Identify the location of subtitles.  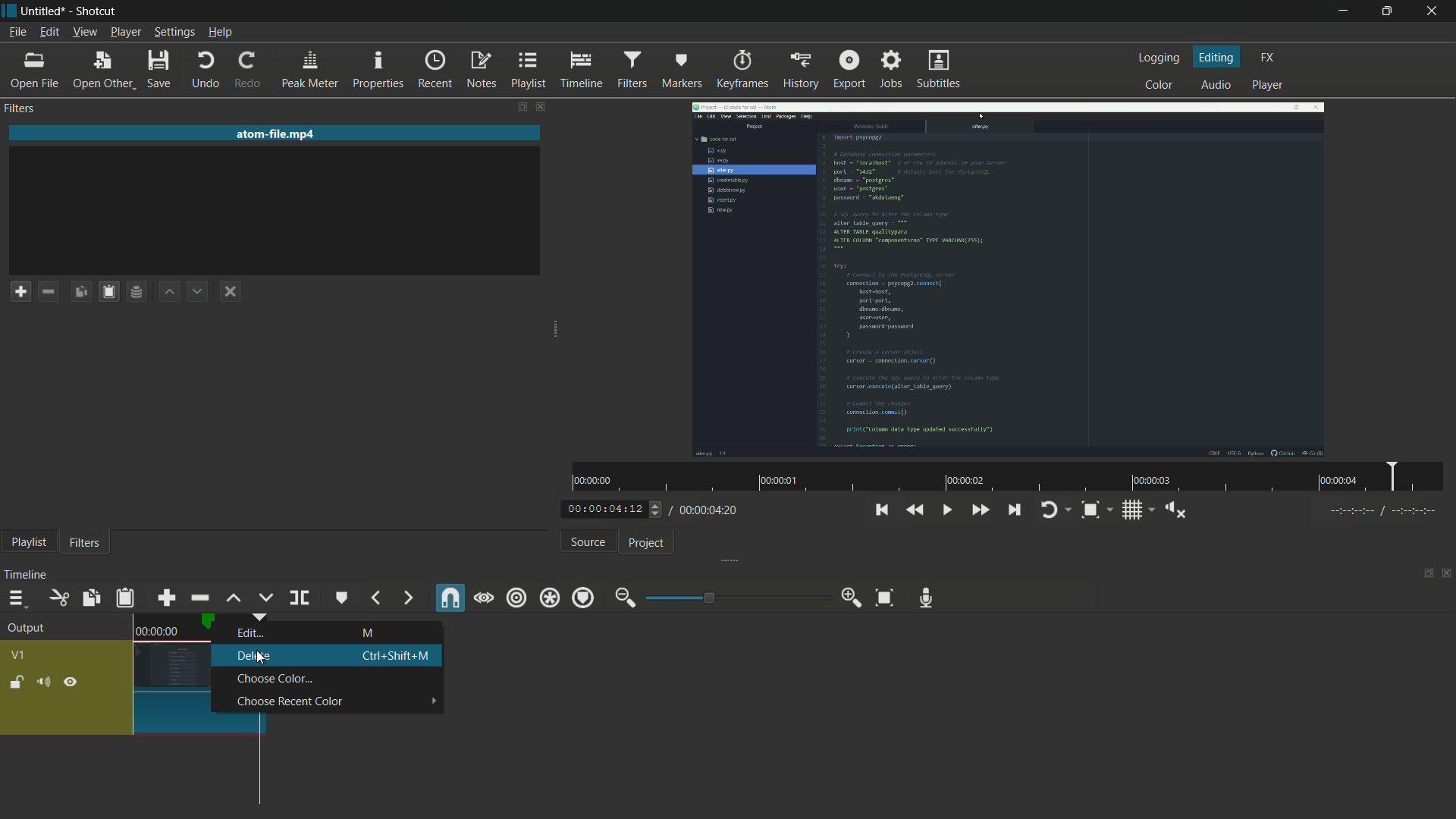
(941, 69).